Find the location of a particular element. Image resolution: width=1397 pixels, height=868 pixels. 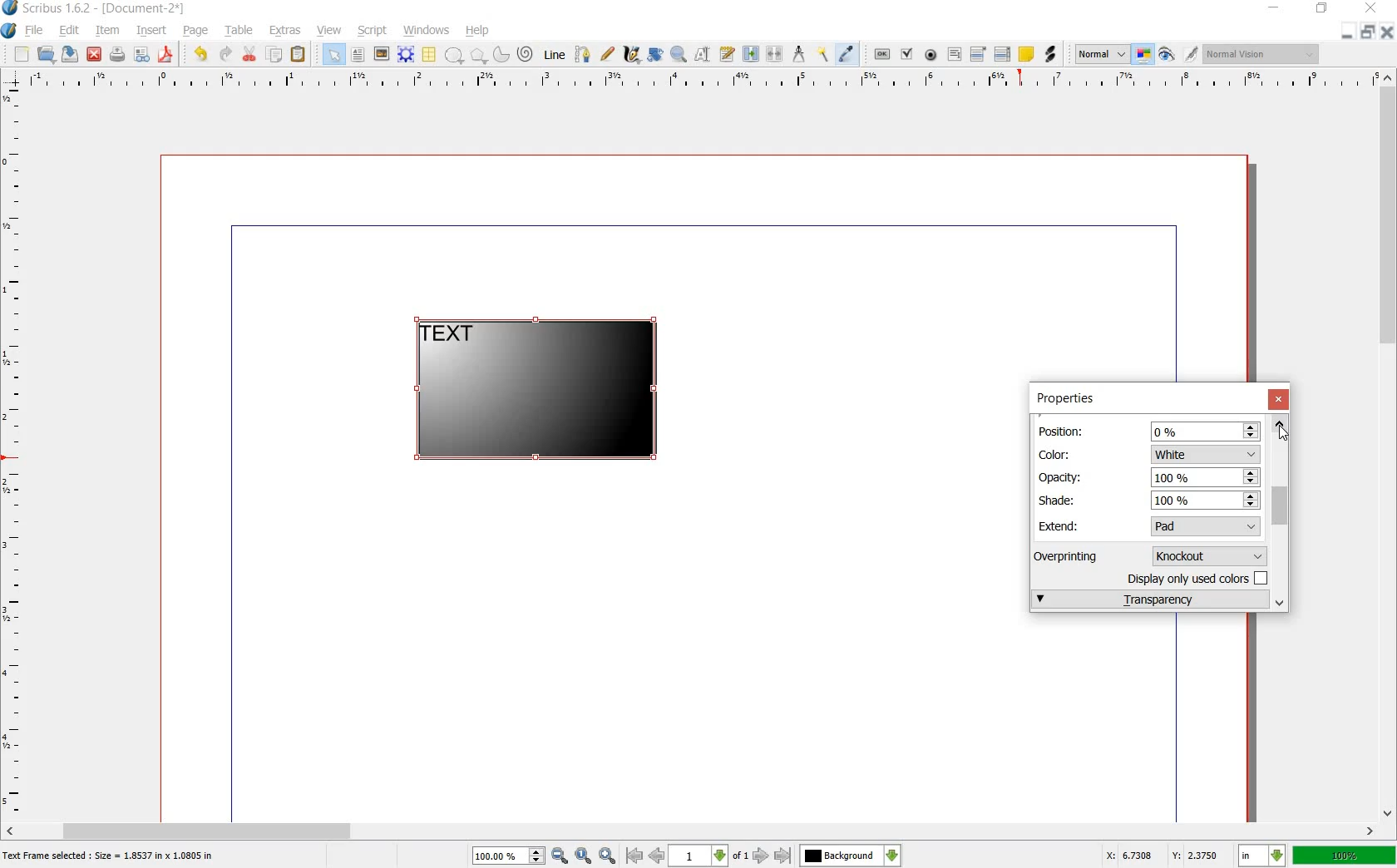

cut is located at coordinates (250, 55).